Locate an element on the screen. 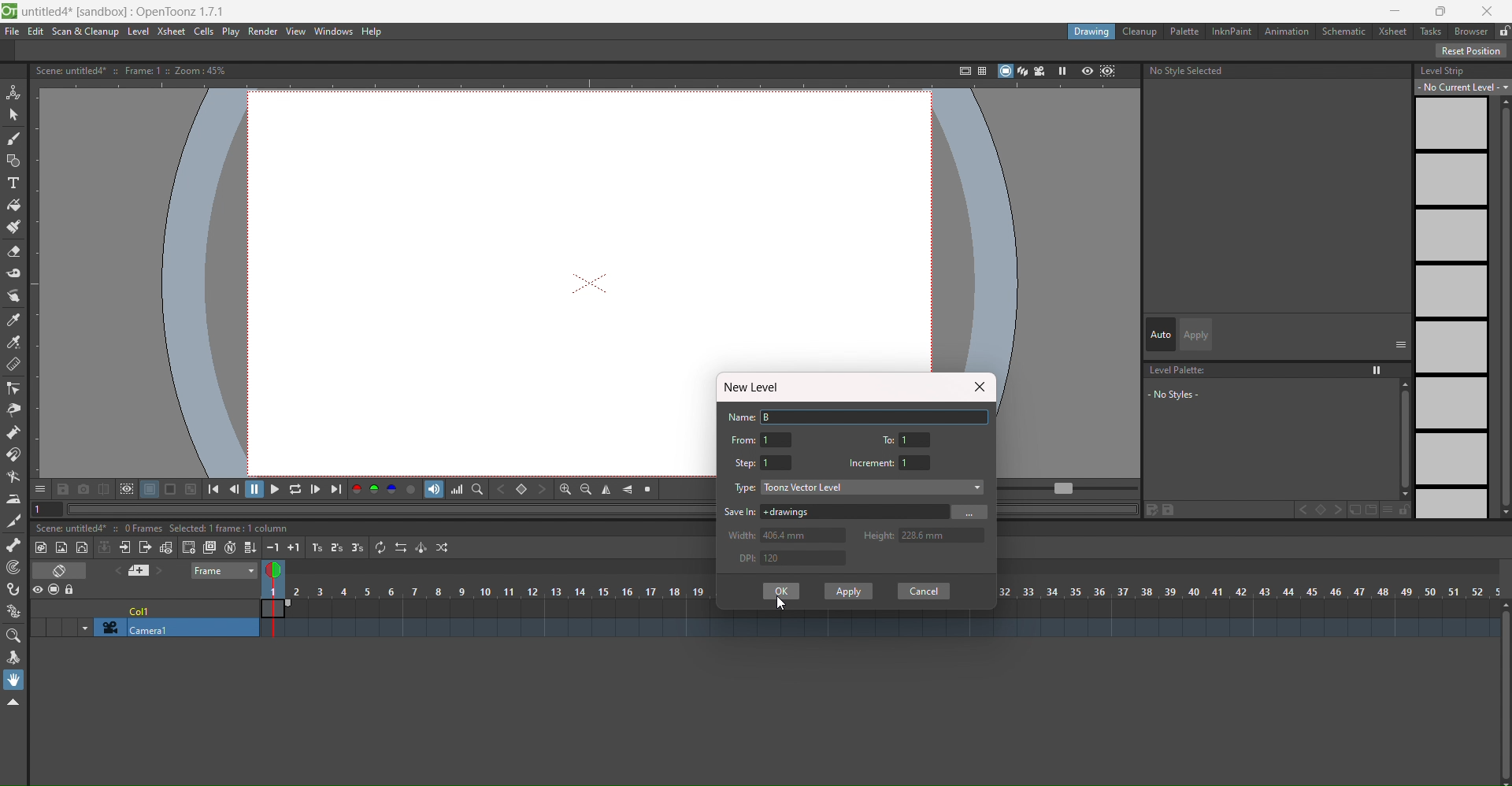 The width and height of the screenshot is (1512, 786).  is located at coordinates (605, 490).